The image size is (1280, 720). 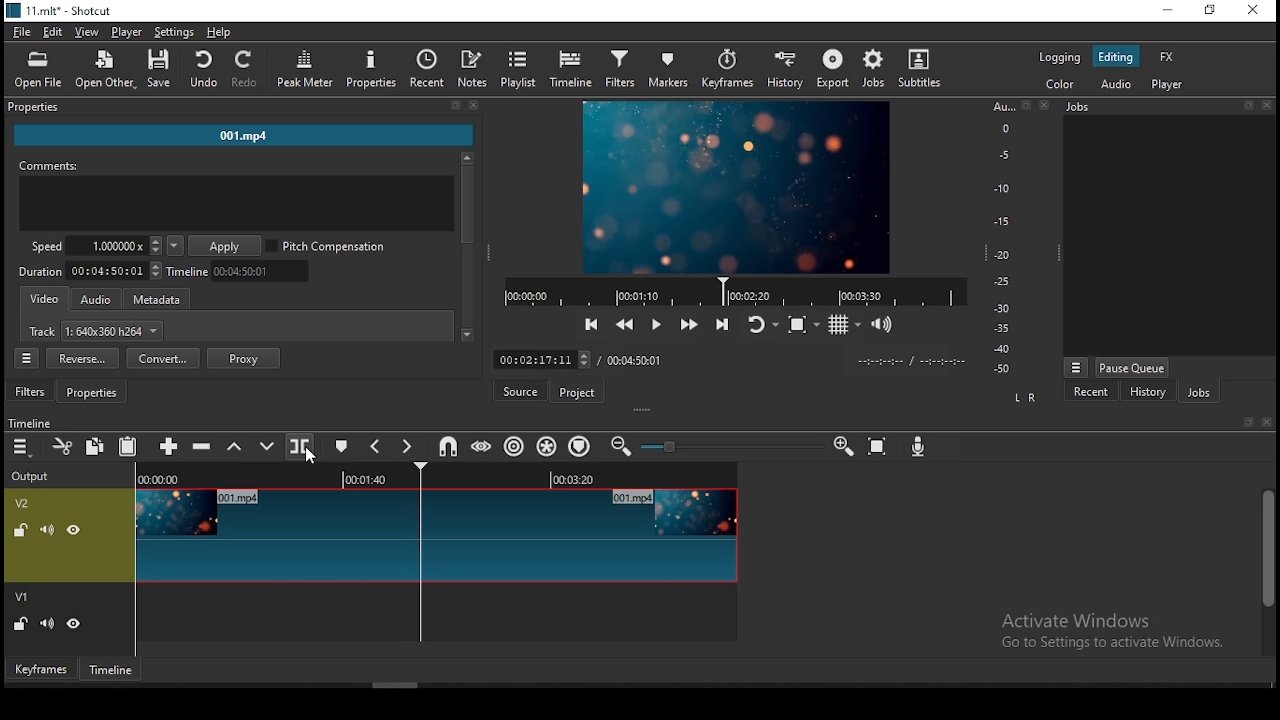 I want to click on pause queue, so click(x=1132, y=367).